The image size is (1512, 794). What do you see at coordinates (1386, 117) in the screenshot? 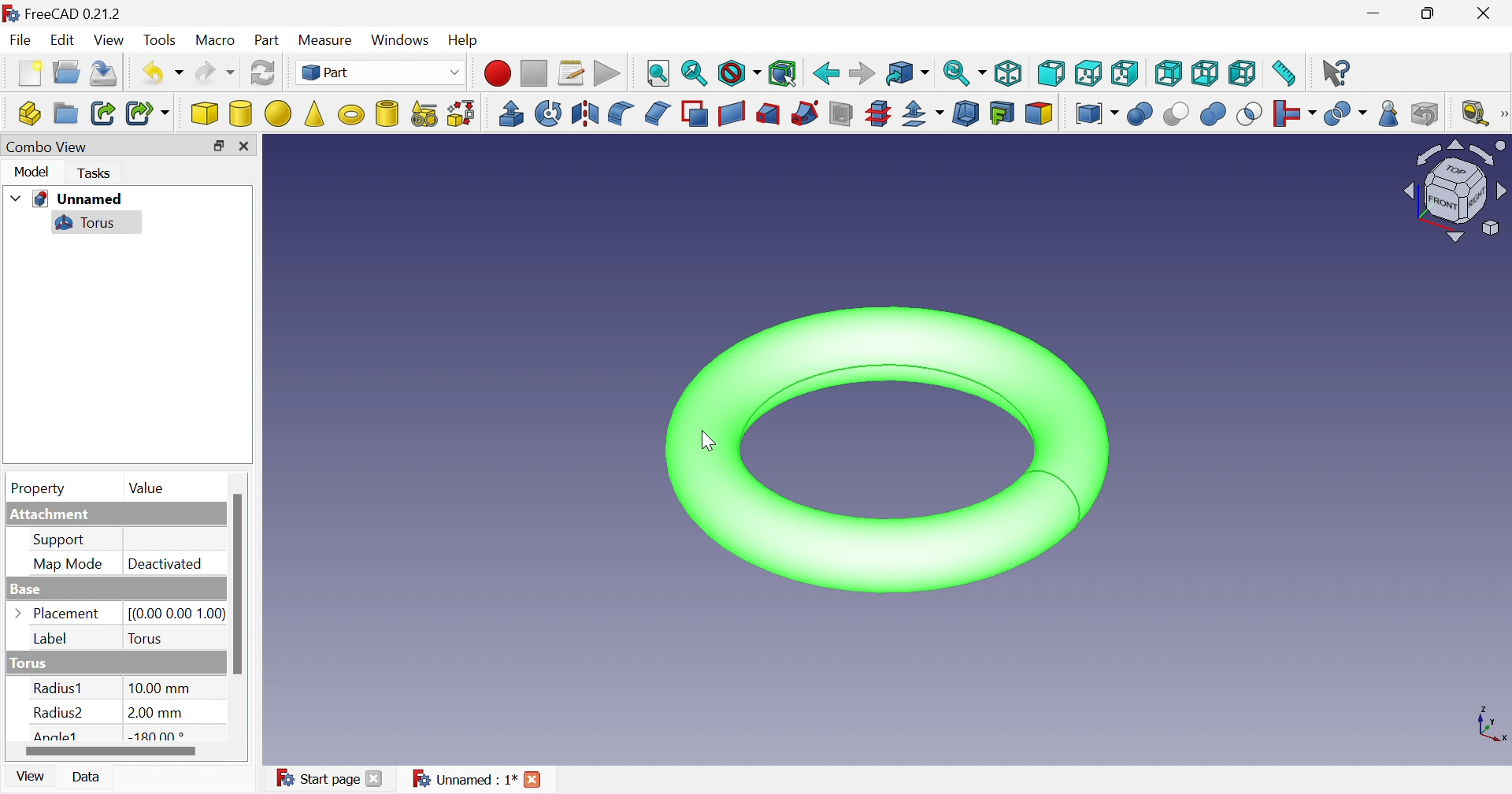
I see `Check geometry` at bounding box center [1386, 117].